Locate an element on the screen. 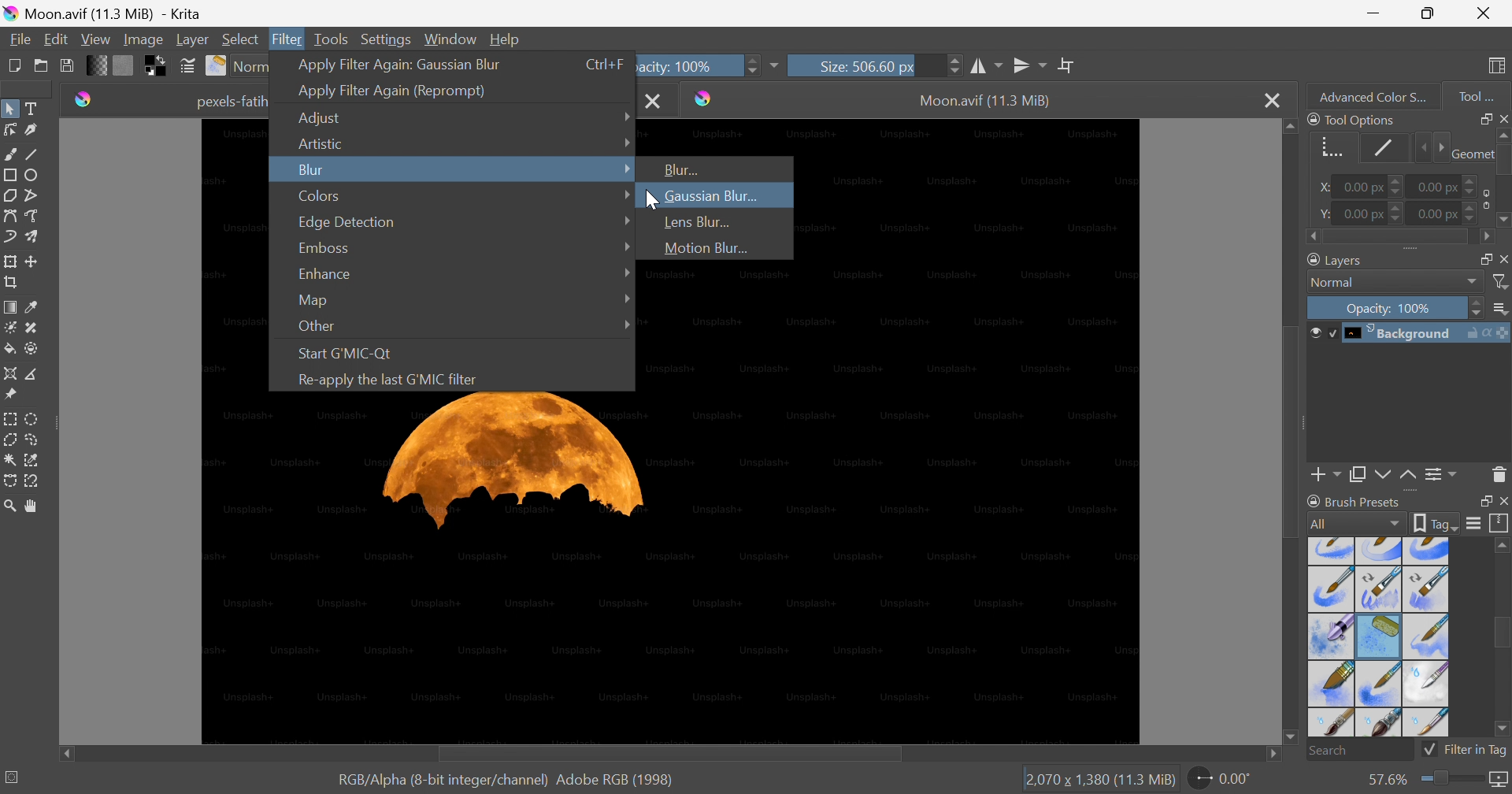 This screenshot has height=794, width=1512. Edit is located at coordinates (57, 39).